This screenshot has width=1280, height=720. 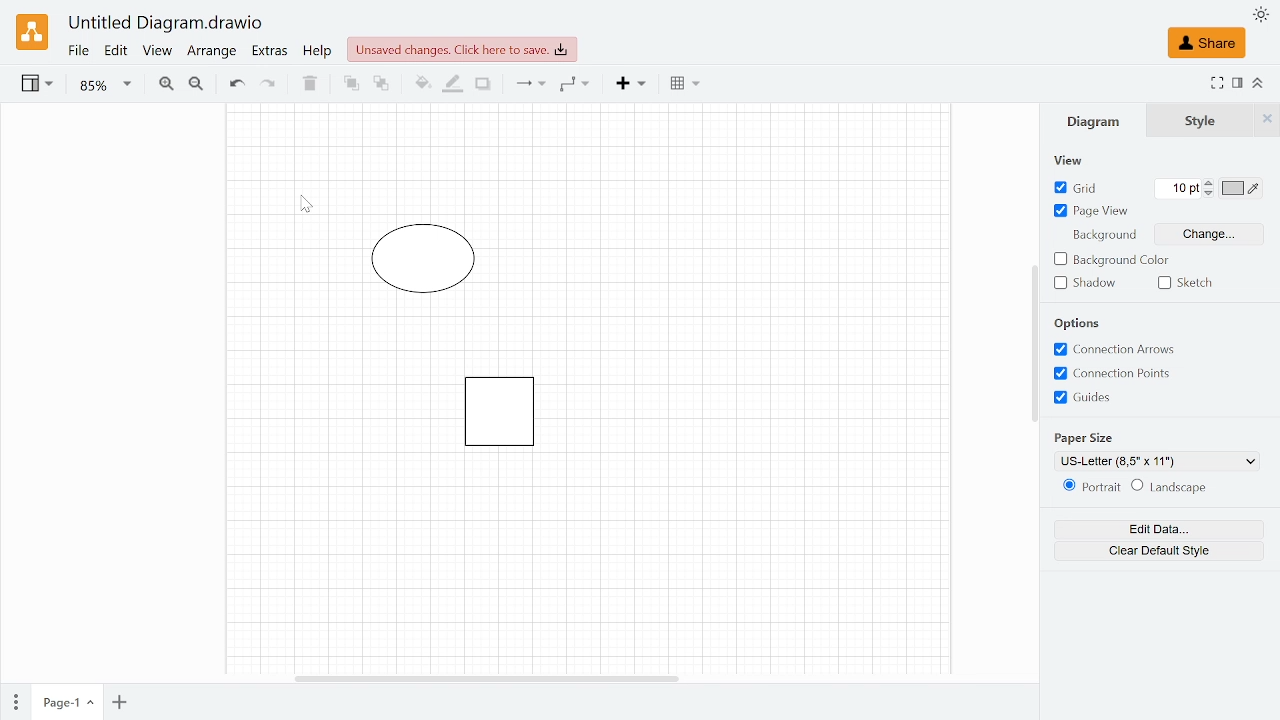 What do you see at coordinates (66, 703) in the screenshot?
I see `Current page` at bounding box center [66, 703].